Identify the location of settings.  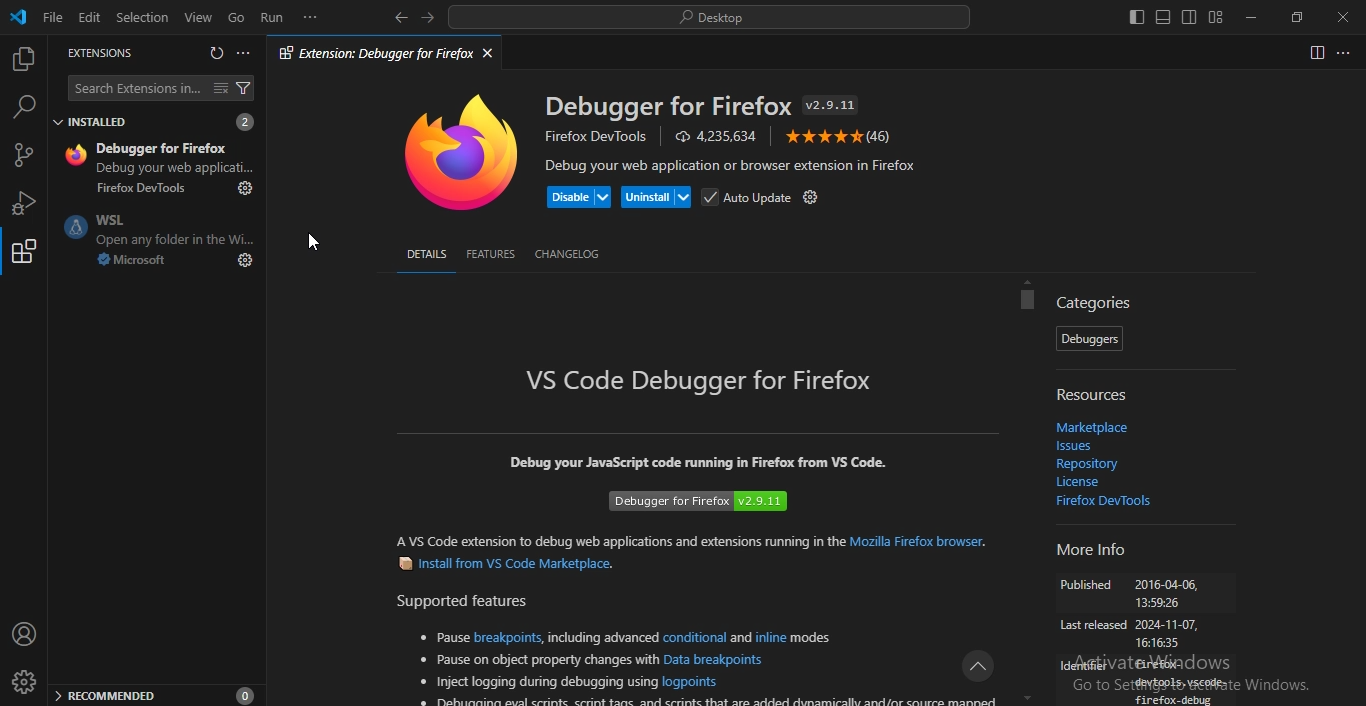
(242, 190).